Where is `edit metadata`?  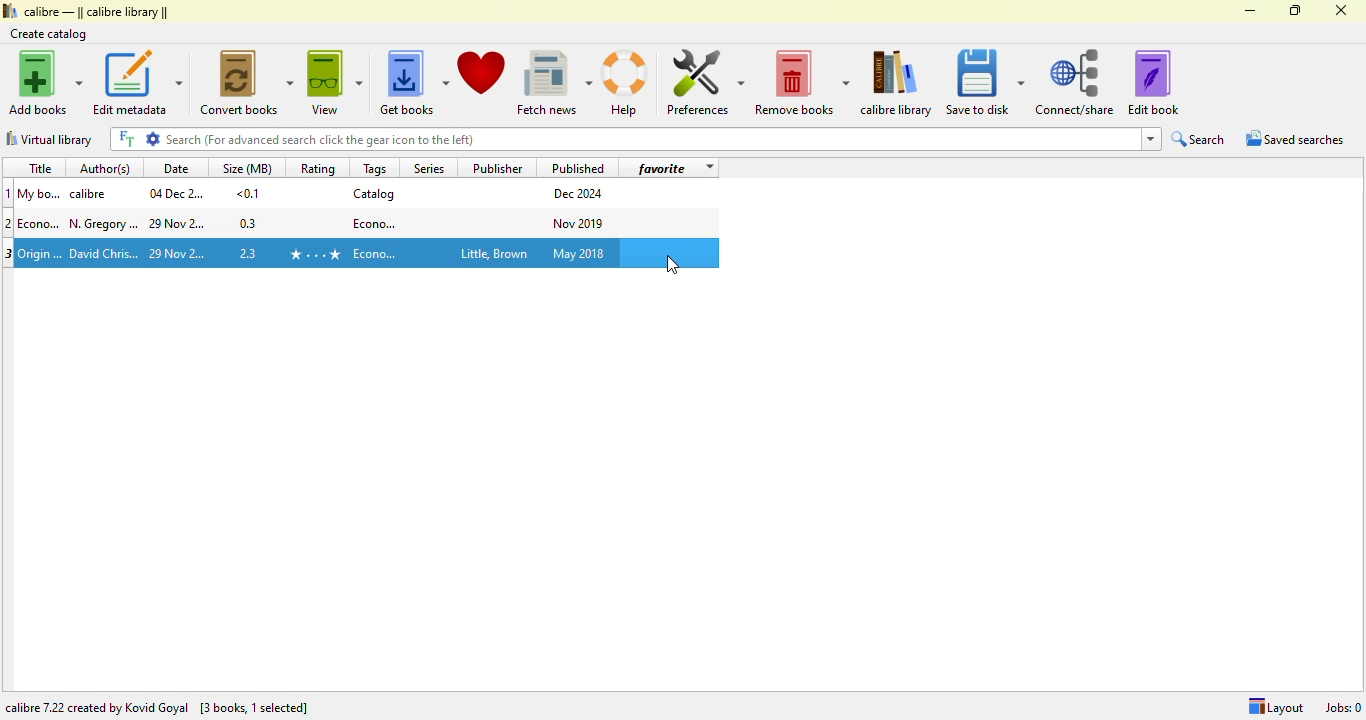 edit metadata is located at coordinates (137, 82).